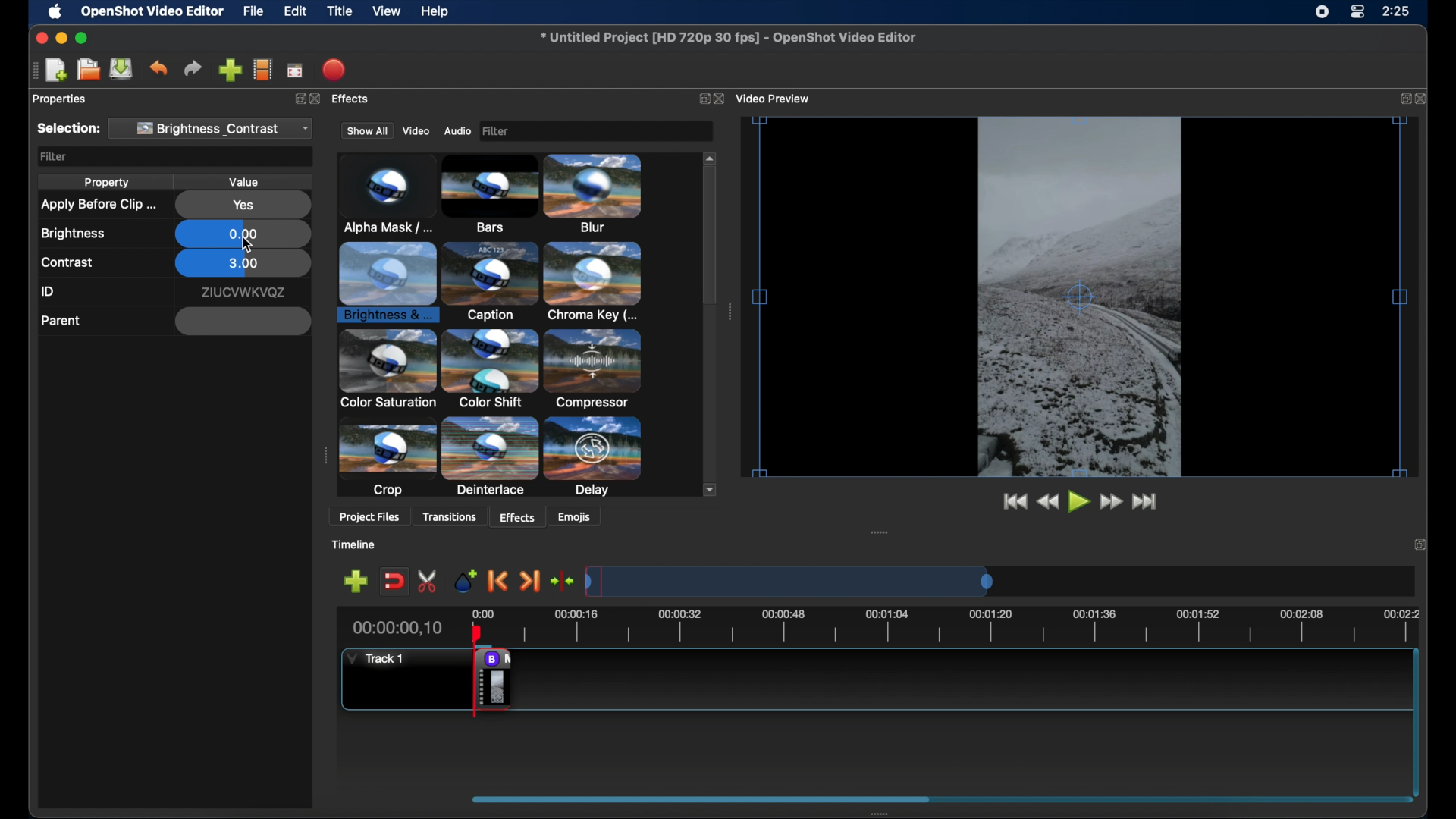 The width and height of the screenshot is (1456, 819). I want to click on explore profiles, so click(264, 71).